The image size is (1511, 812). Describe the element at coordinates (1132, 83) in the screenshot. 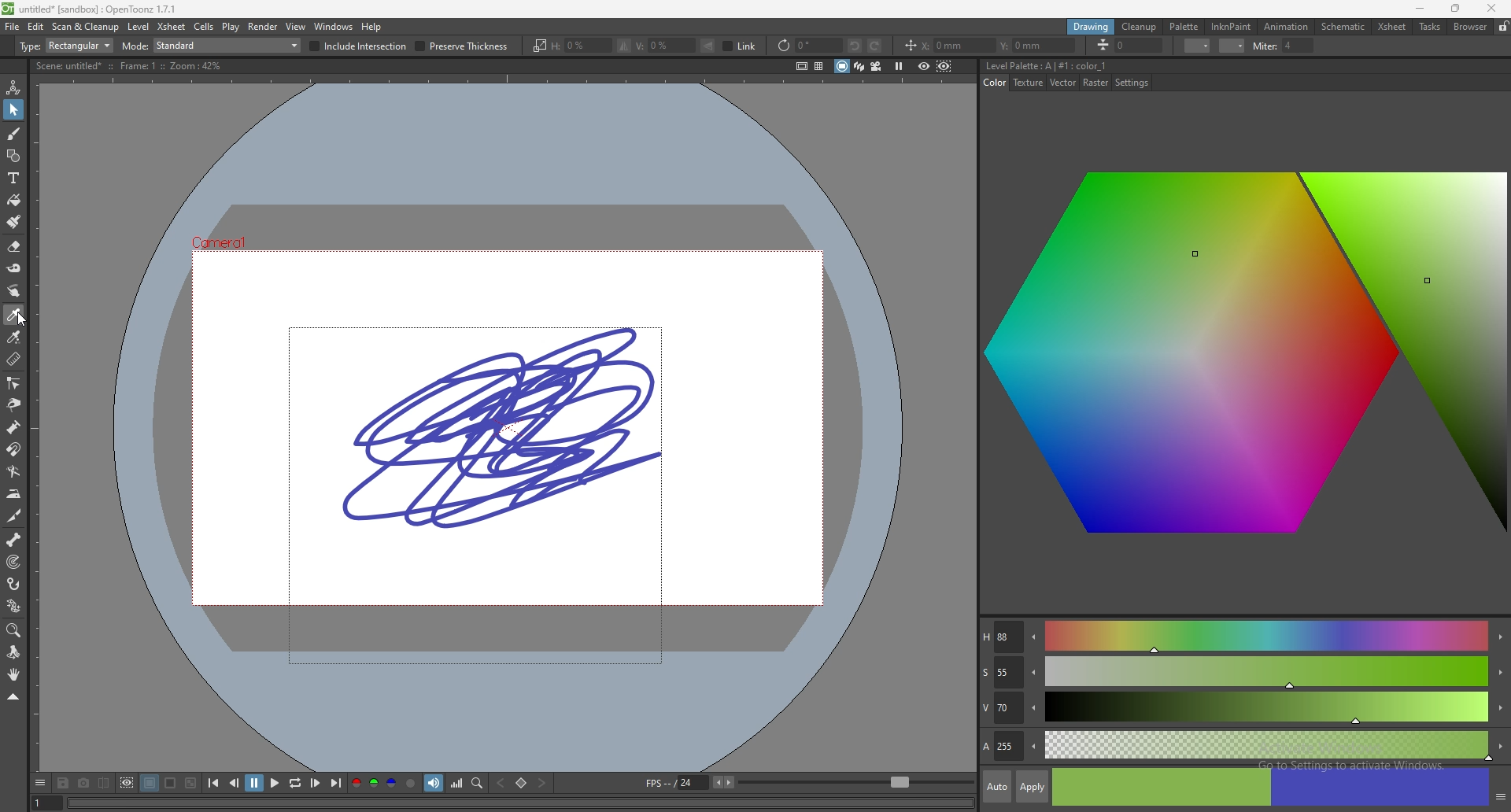

I see `settings` at that location.